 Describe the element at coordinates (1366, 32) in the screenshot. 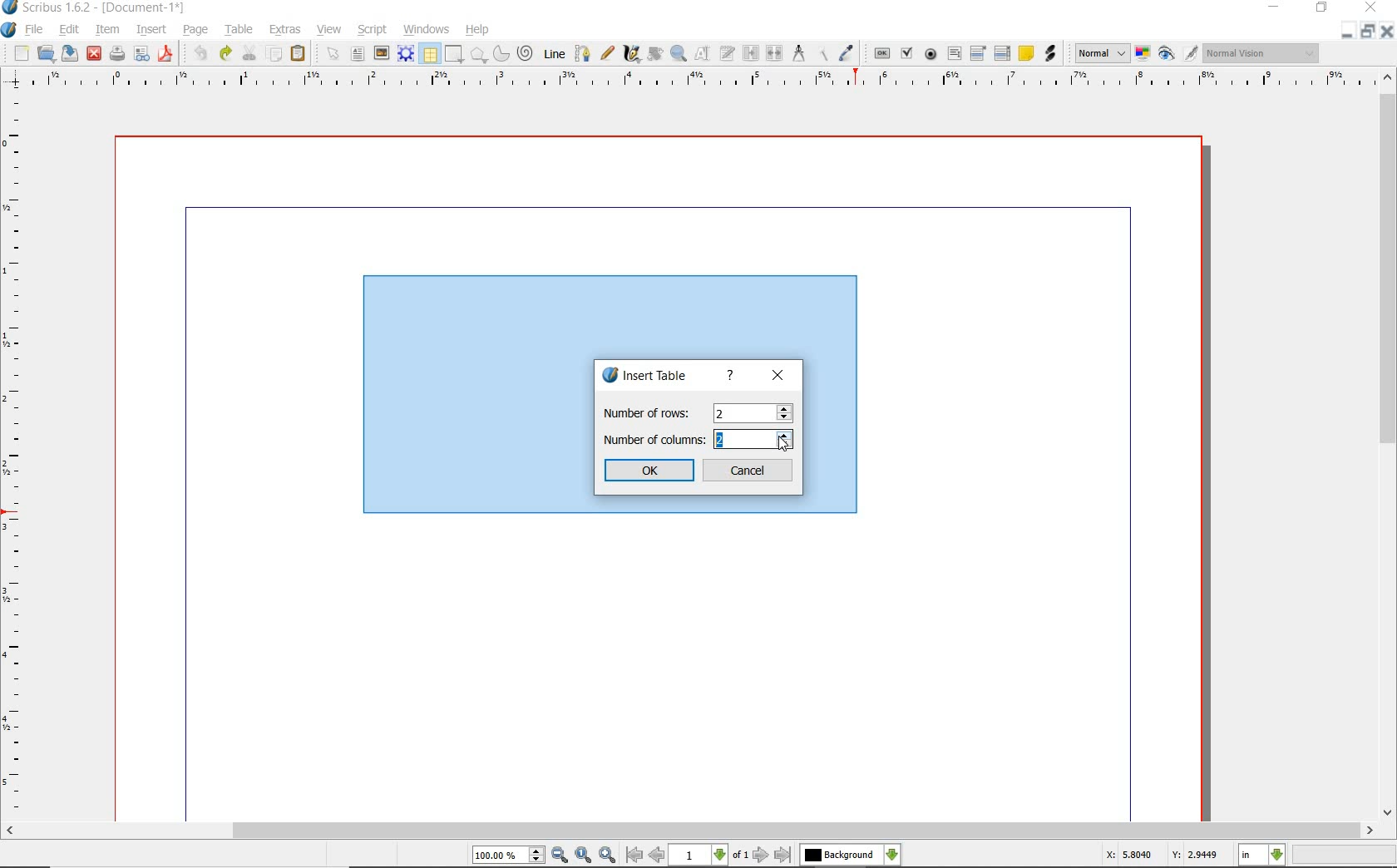

I see `restore` at that location.